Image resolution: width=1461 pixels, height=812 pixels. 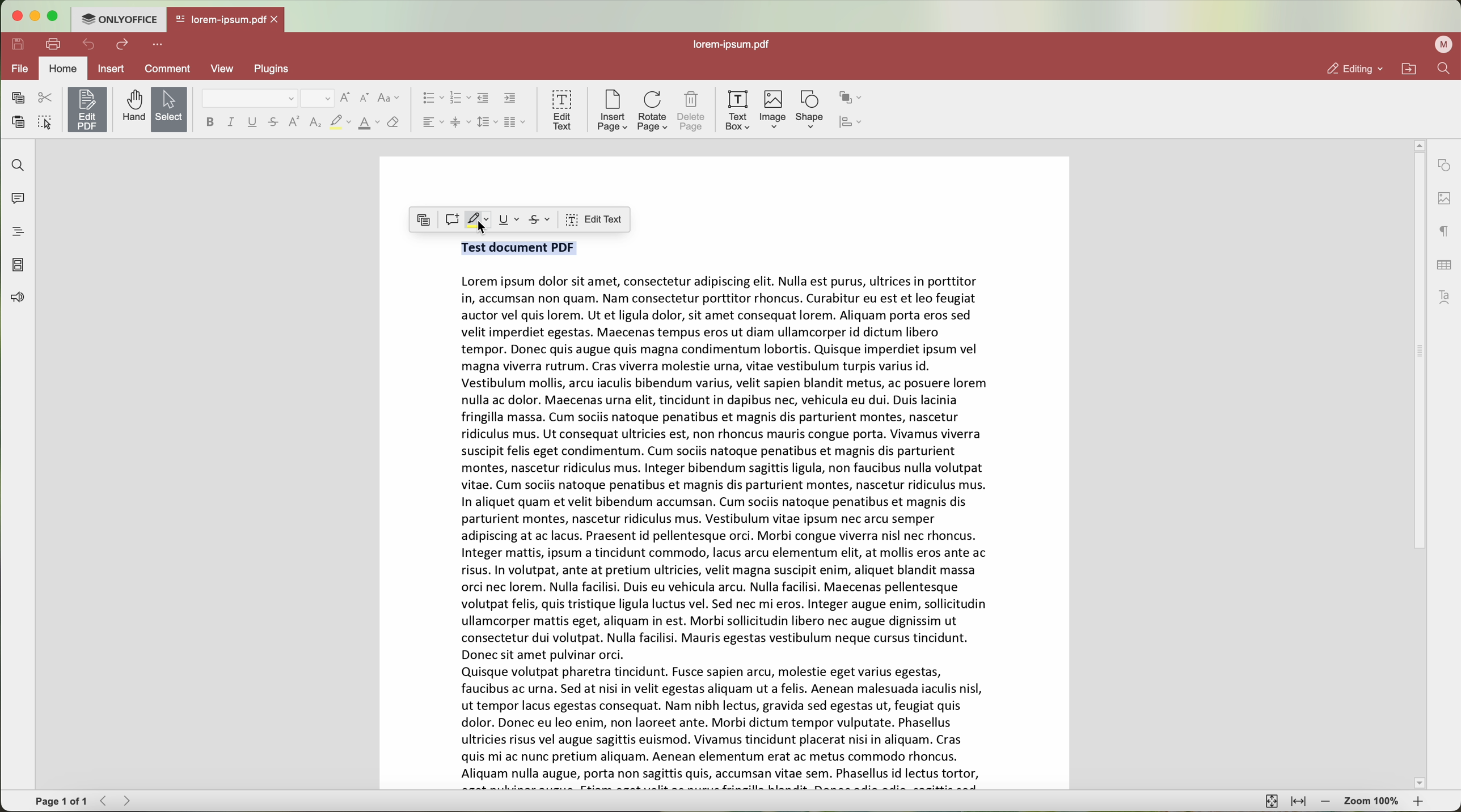 I want to click on maximize program, so click(x=56, y=16).